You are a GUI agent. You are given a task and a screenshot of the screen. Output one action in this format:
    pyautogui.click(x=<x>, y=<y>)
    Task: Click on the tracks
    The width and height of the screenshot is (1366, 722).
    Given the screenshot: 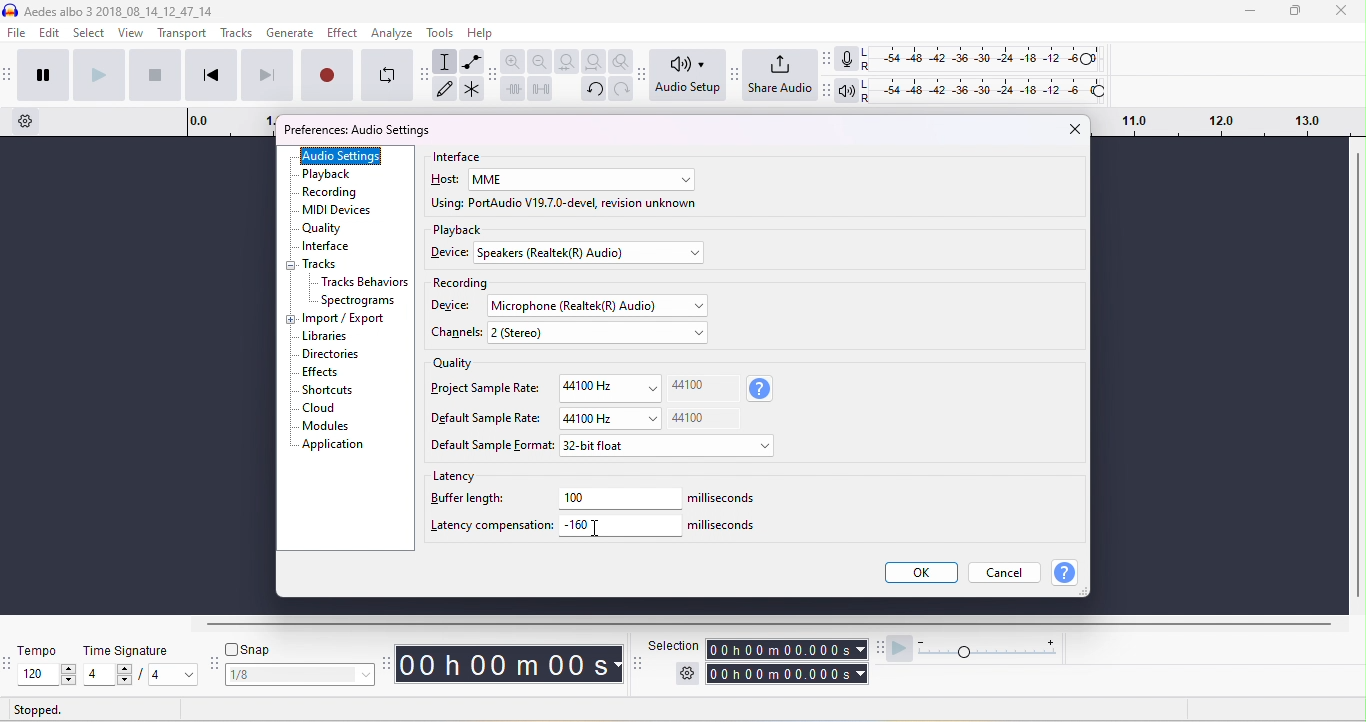 What is the action you would take?
    pyautogui.click(x=320, y=265)
    